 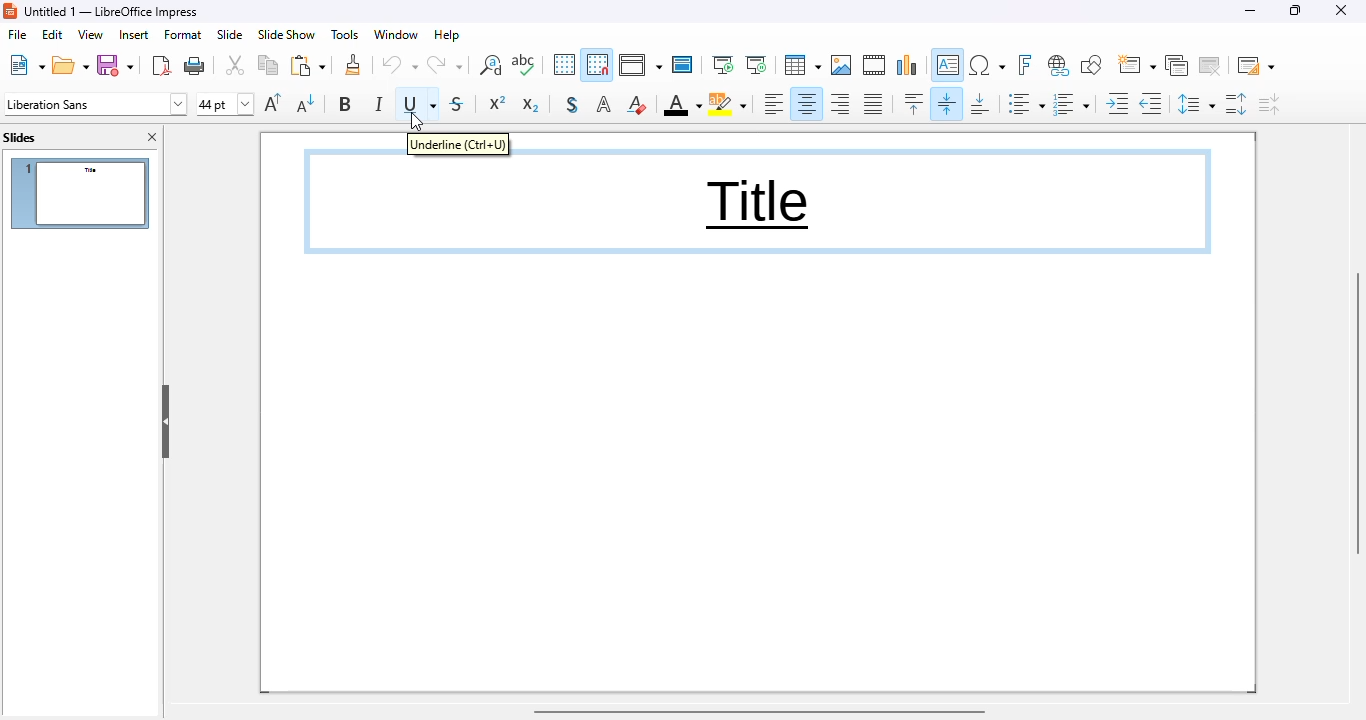 What do you see at coordinates (914, 102) in the screenshot?
I see `align top` at bounding box center [914, 102].